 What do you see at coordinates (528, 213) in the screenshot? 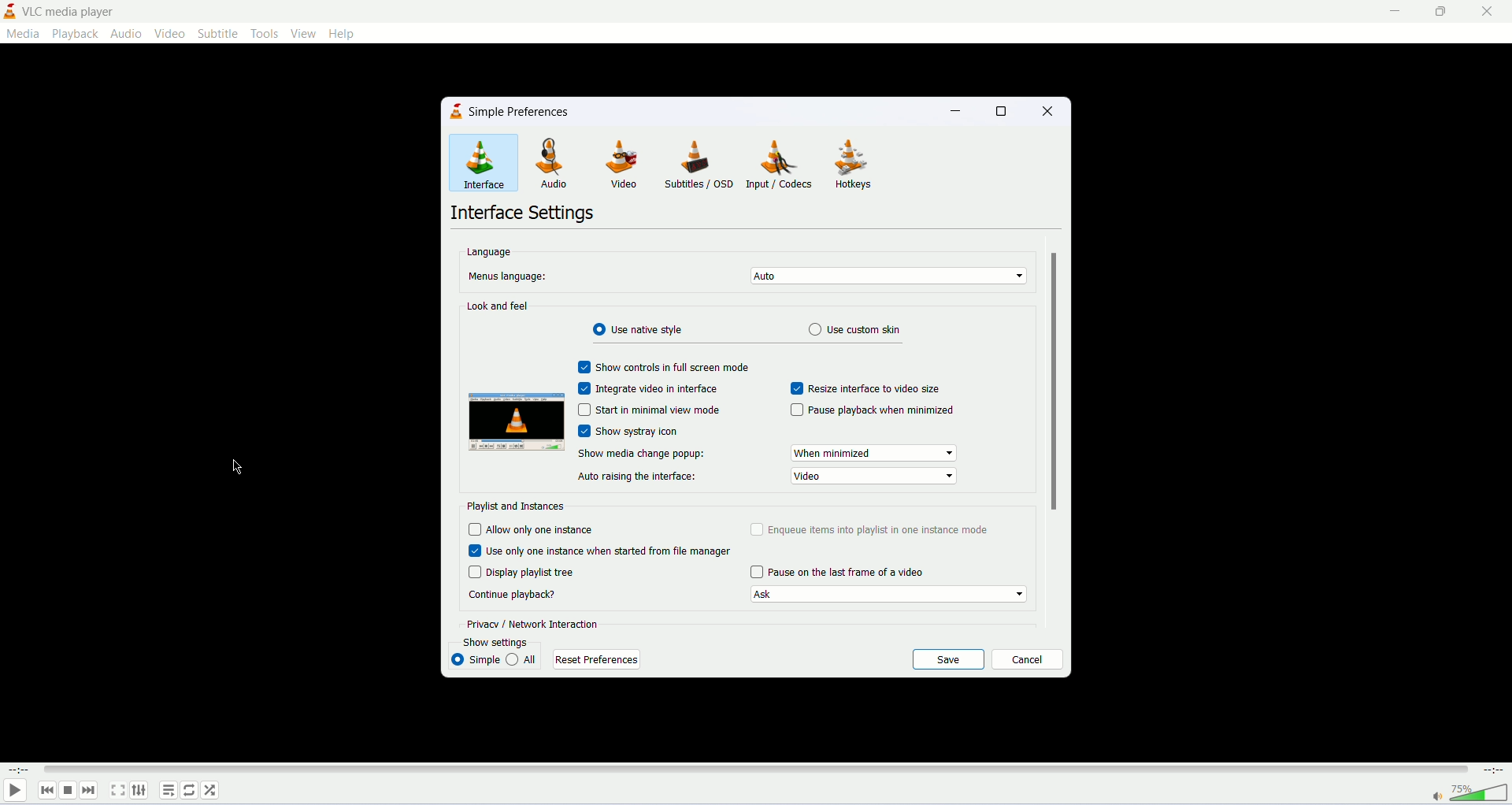
I see `interface settings` at bounding box center [528, 213].